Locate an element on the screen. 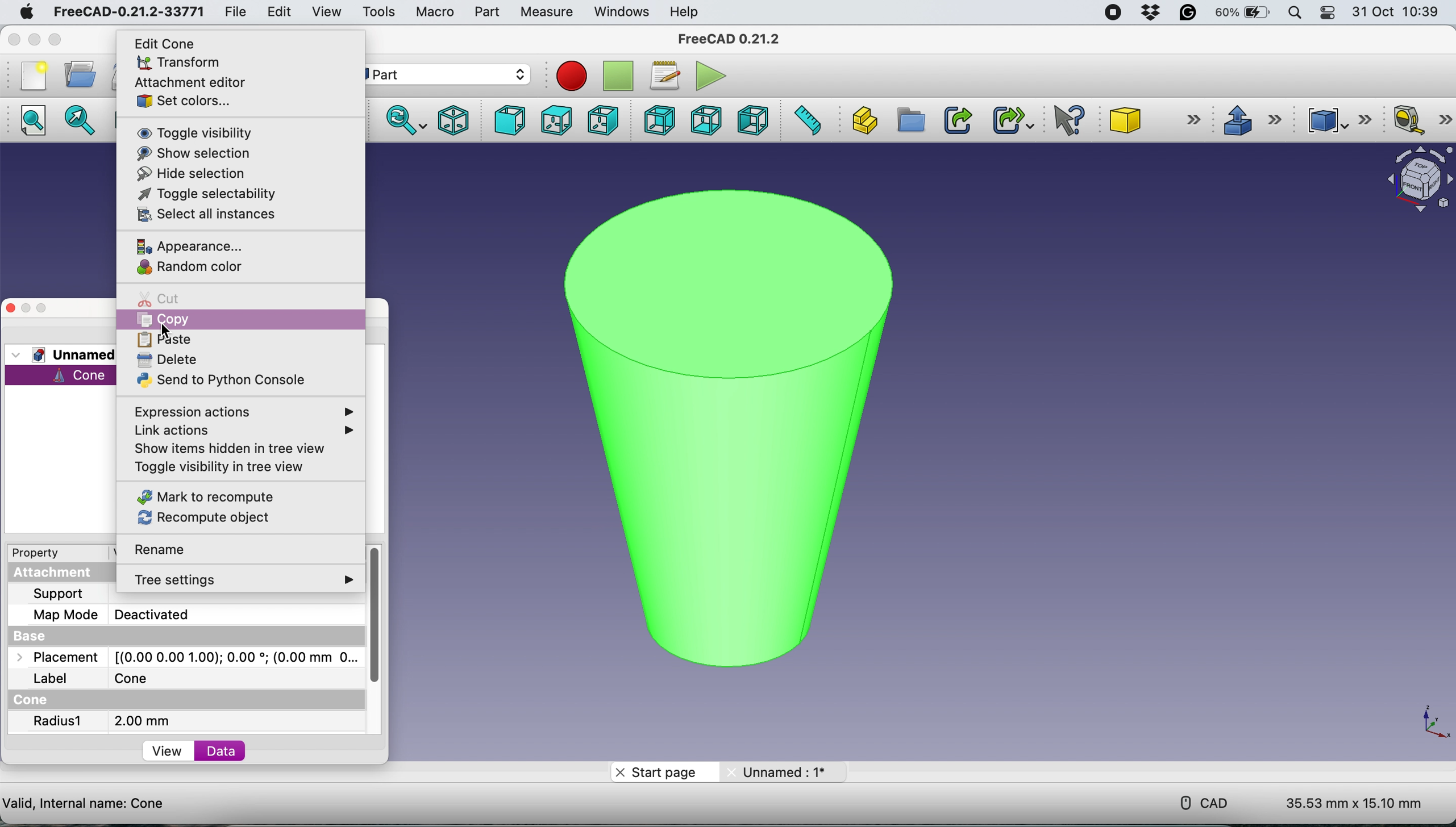 Image resolution: width=1456 pixels, height=827 pixels. windows is located at coordinates (619, 11).